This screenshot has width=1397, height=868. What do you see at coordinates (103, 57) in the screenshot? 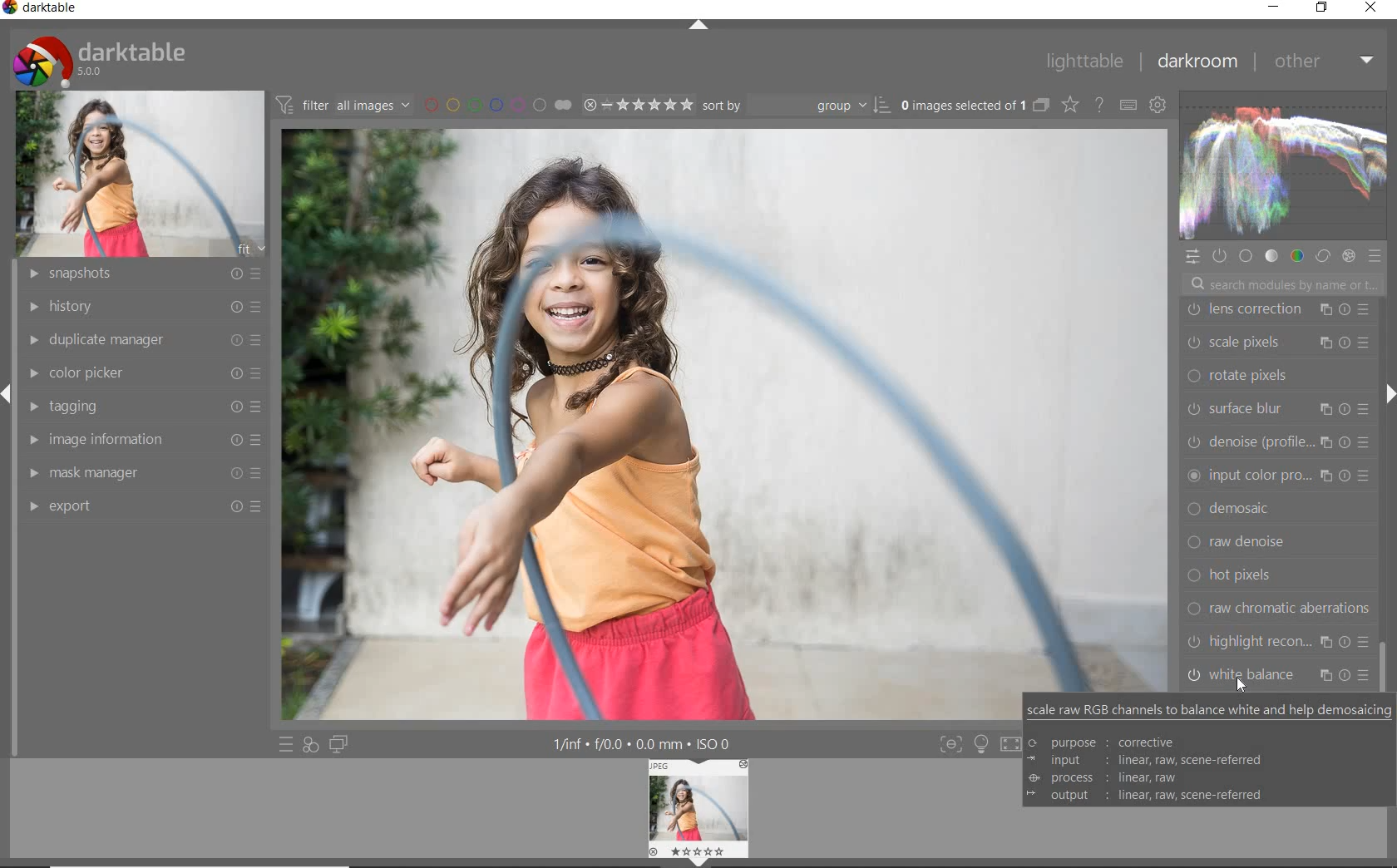
I see `system logo & name` at bounding box center [103, 57].